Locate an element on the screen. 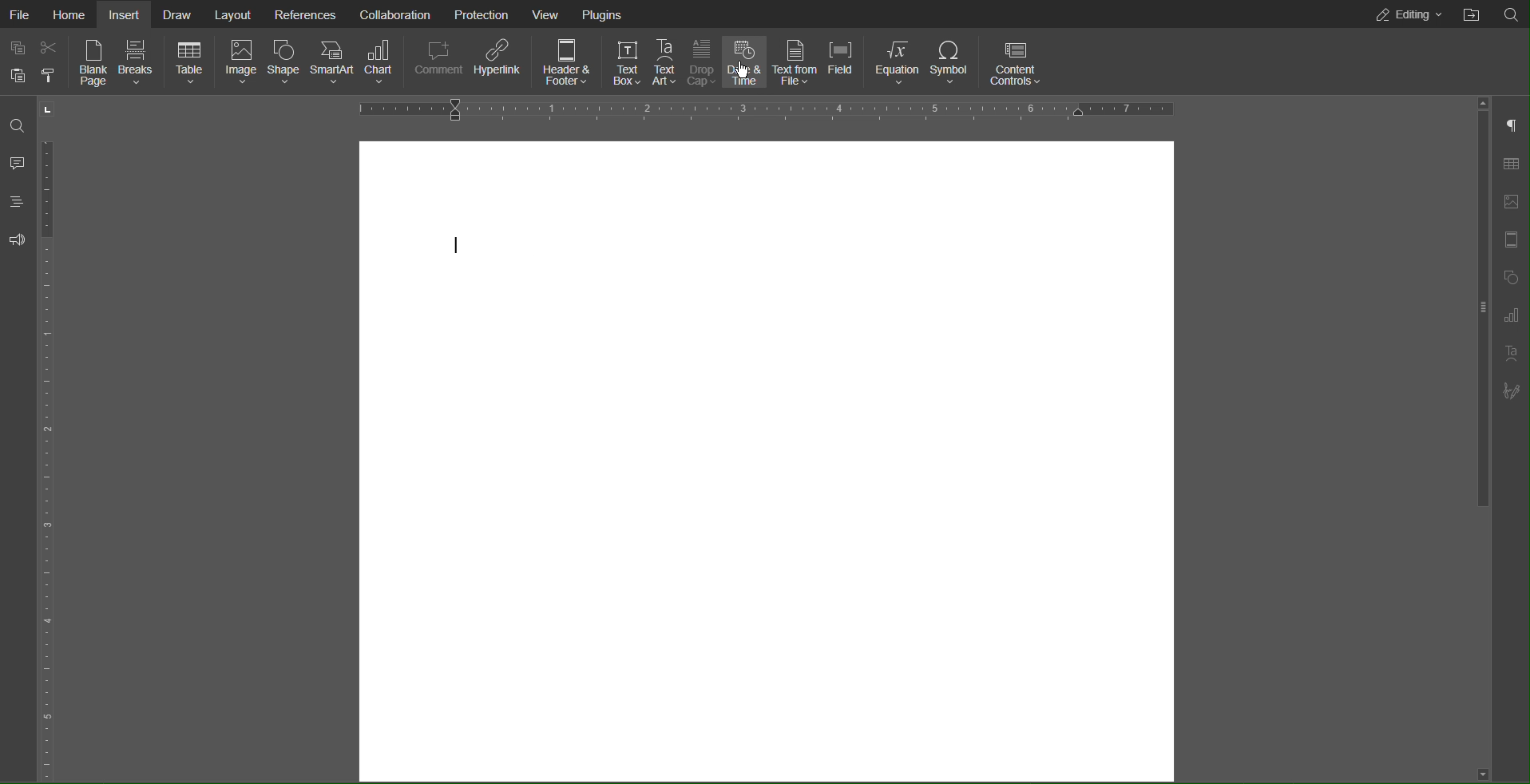 The width and height of the screenshot is (1530, 784). Shape is located at coordinates (283, 63).